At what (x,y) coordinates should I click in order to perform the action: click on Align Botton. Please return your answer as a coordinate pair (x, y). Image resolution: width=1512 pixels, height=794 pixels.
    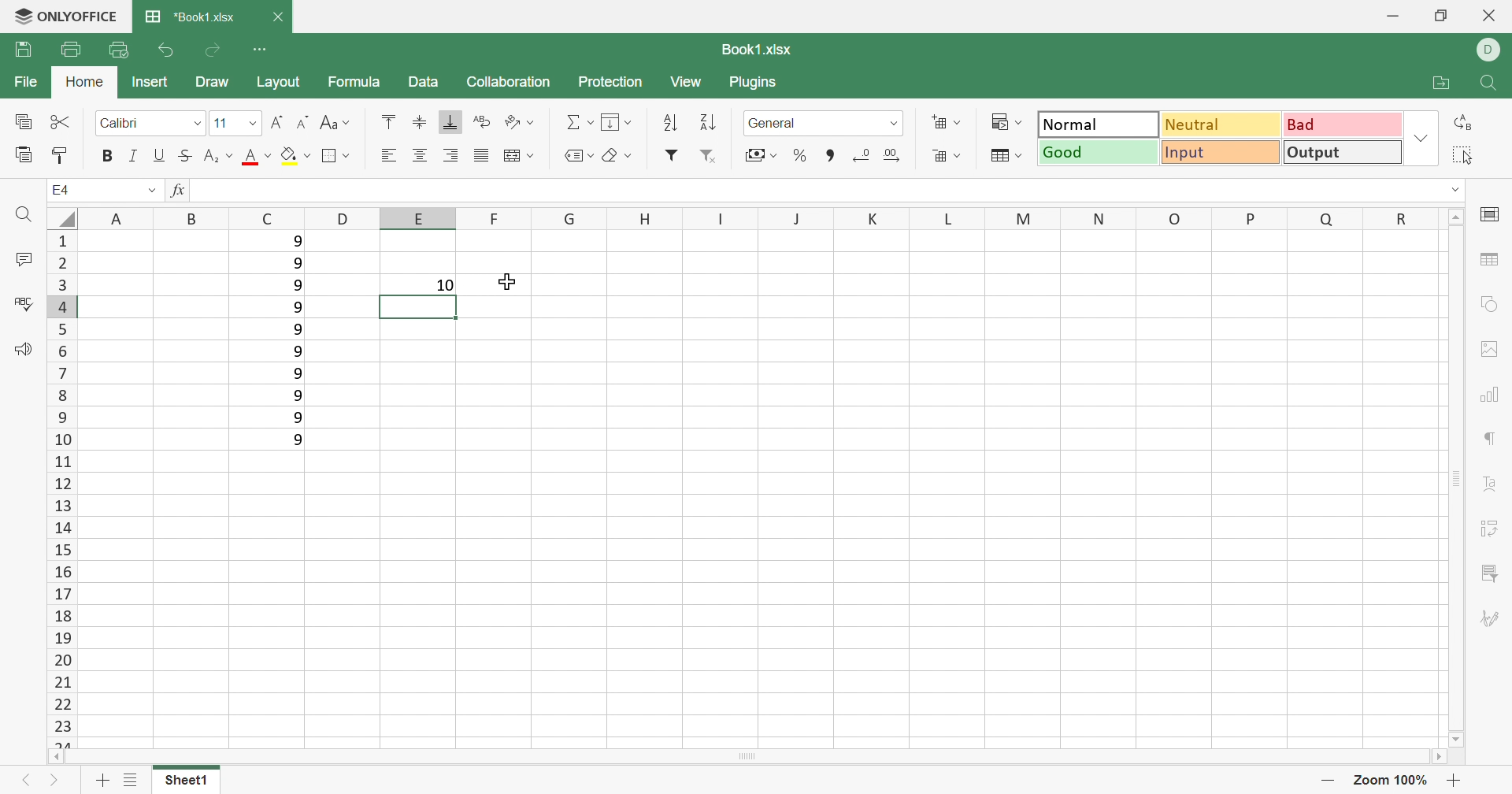
    Looking at the image, I should click on (450, 123).